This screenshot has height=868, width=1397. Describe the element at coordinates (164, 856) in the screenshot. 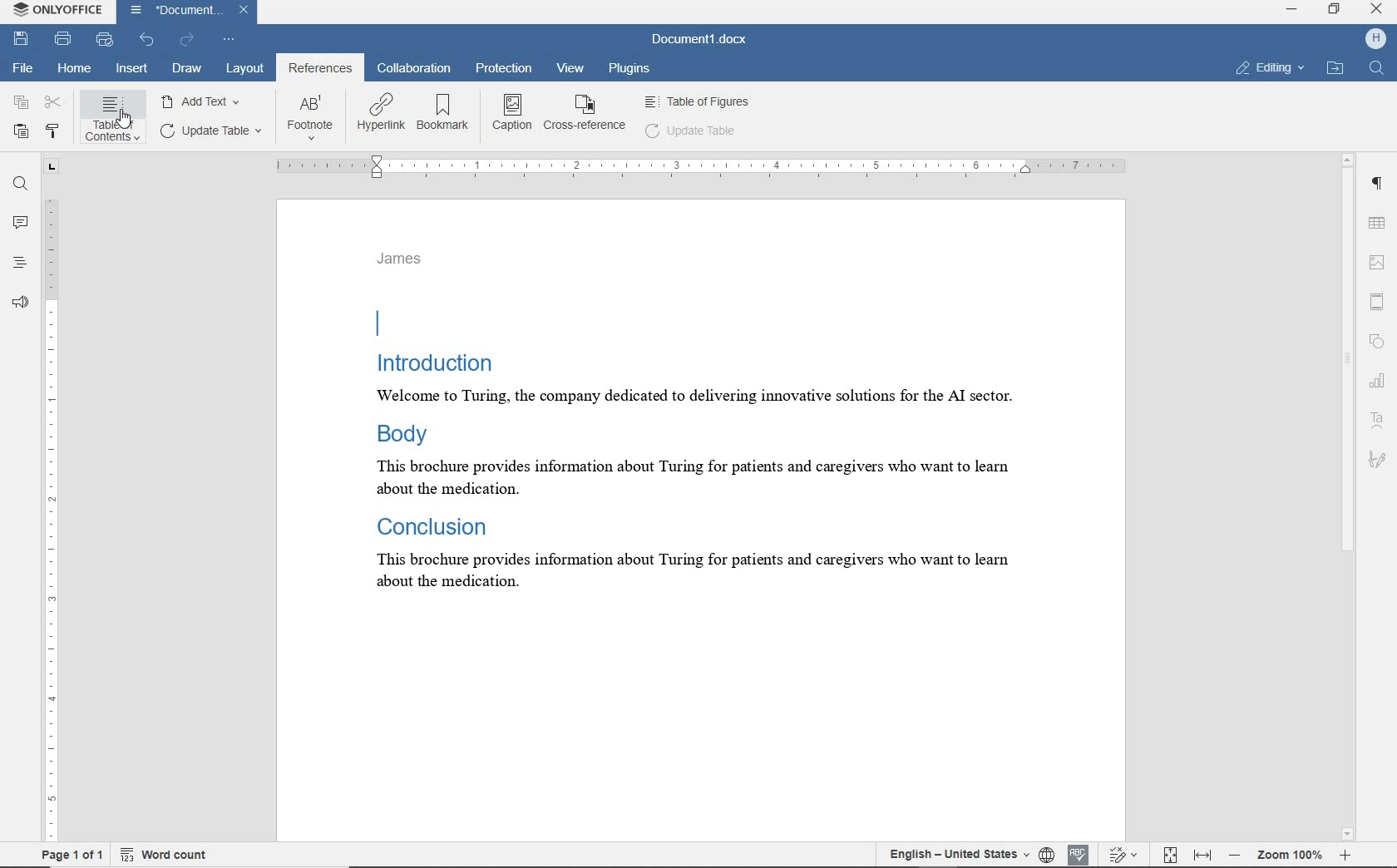

I see `Word Count` at that location.